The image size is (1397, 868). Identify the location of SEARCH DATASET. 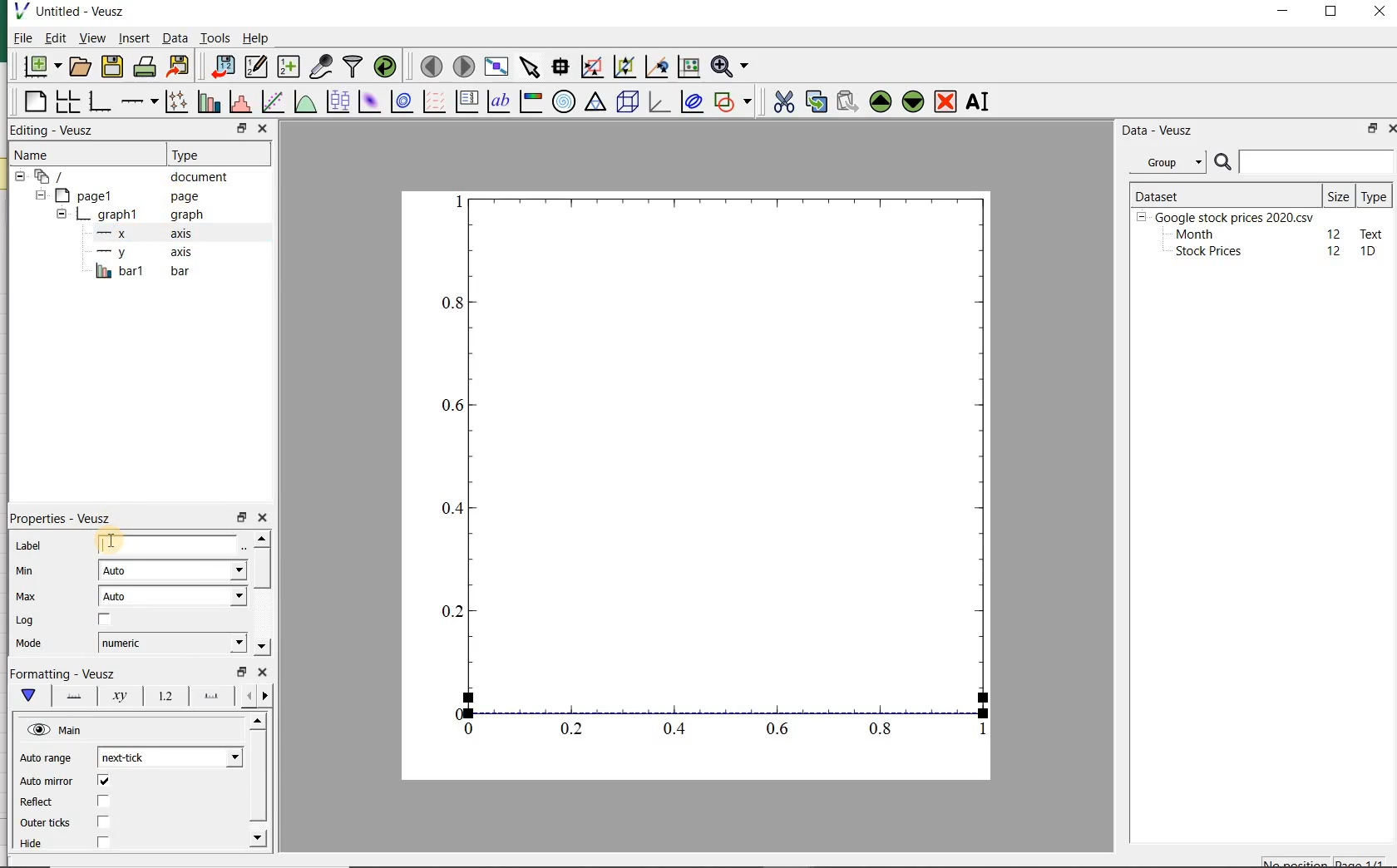
(1304, 161).